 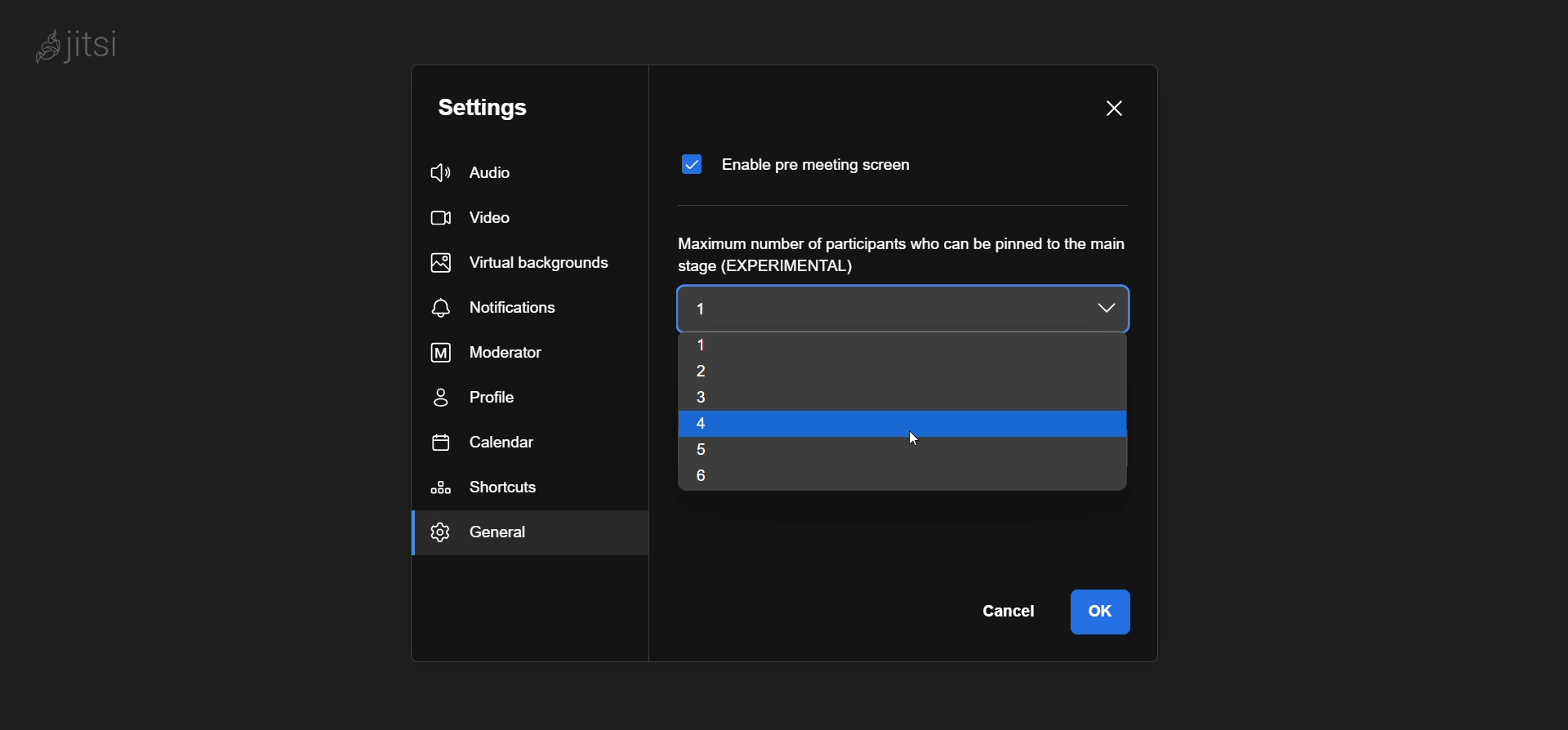 I want to click on Maximum number of participants who can be pinned to the main
stage (EXPERIMENTAL), so click(x=907, y=254).